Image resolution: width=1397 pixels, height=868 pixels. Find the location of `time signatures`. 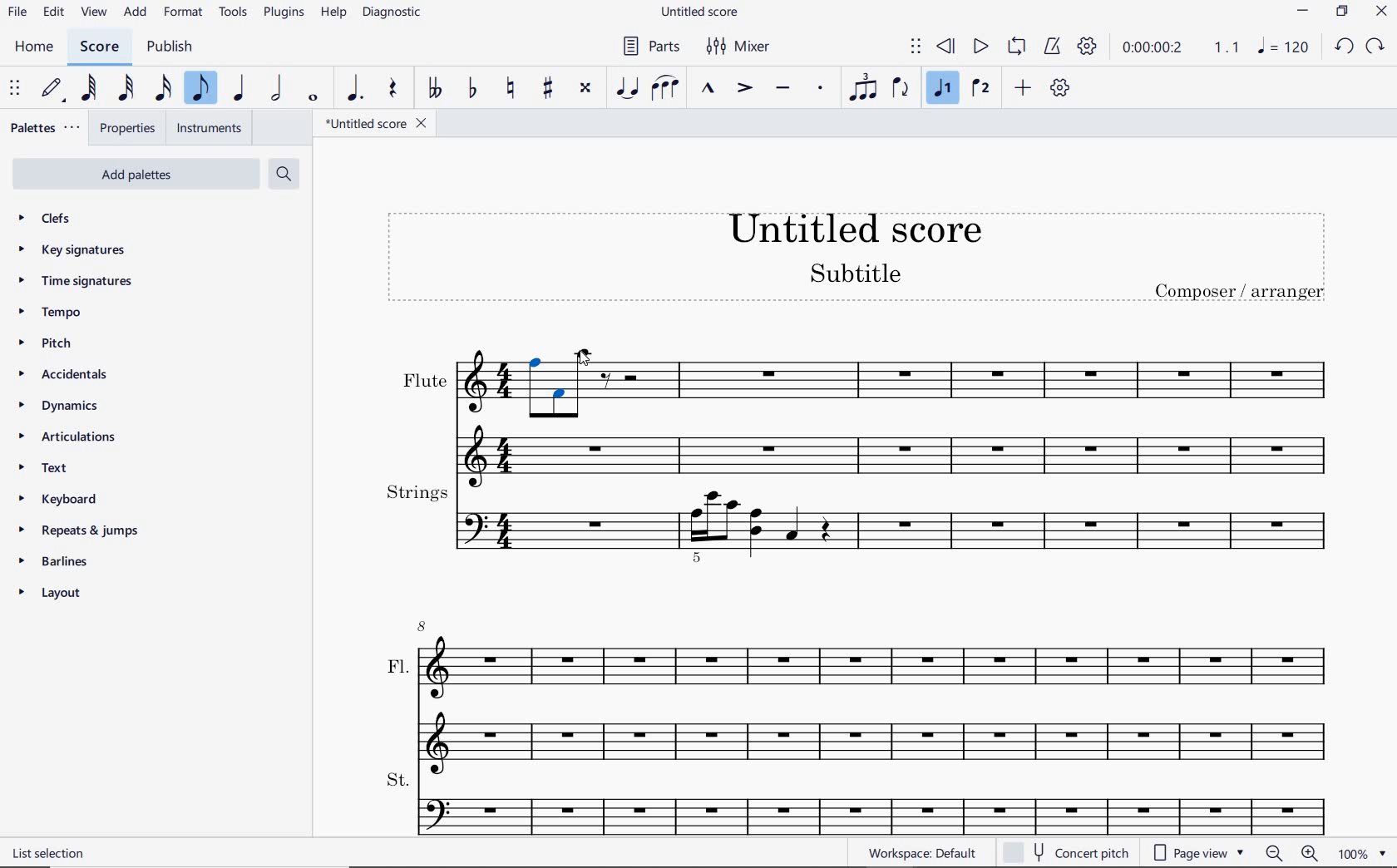

time signatures is located at coordinates (74, 279).